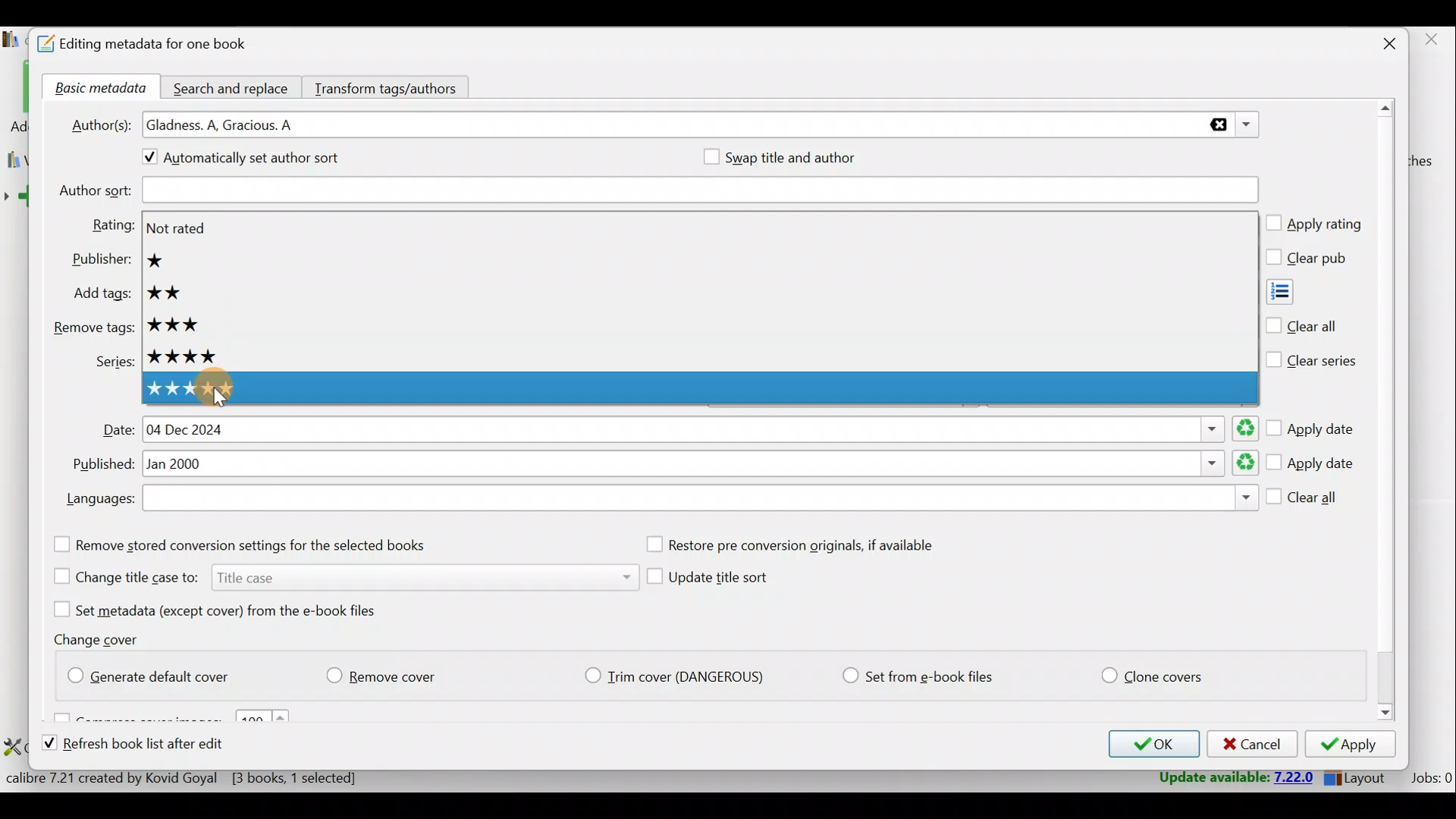 The height and width of the screenshot is (819, 1456). I want to click on Publisher:, so click(102, 259).